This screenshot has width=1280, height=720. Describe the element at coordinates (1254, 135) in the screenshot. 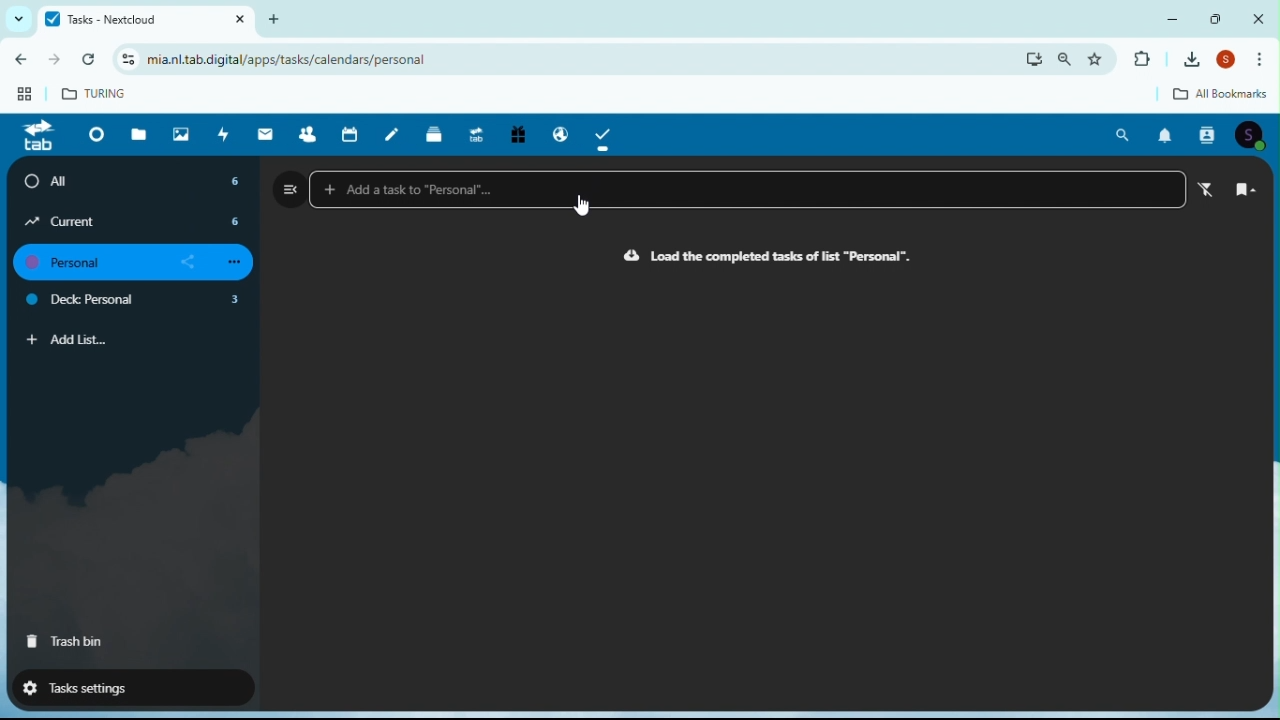

I see `Account icon` at that location.